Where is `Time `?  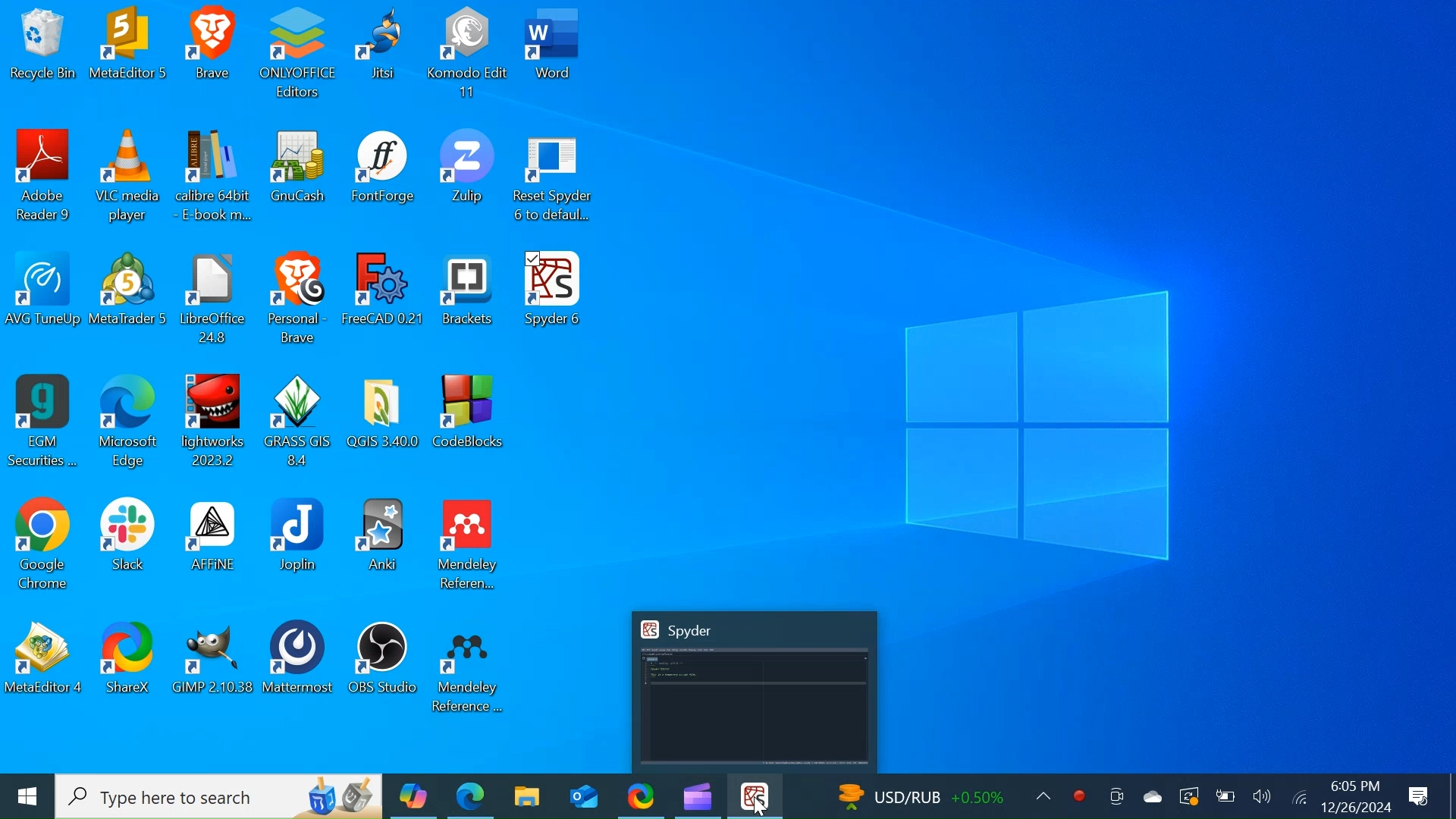
Time  is located at coordinates (1357, 786).